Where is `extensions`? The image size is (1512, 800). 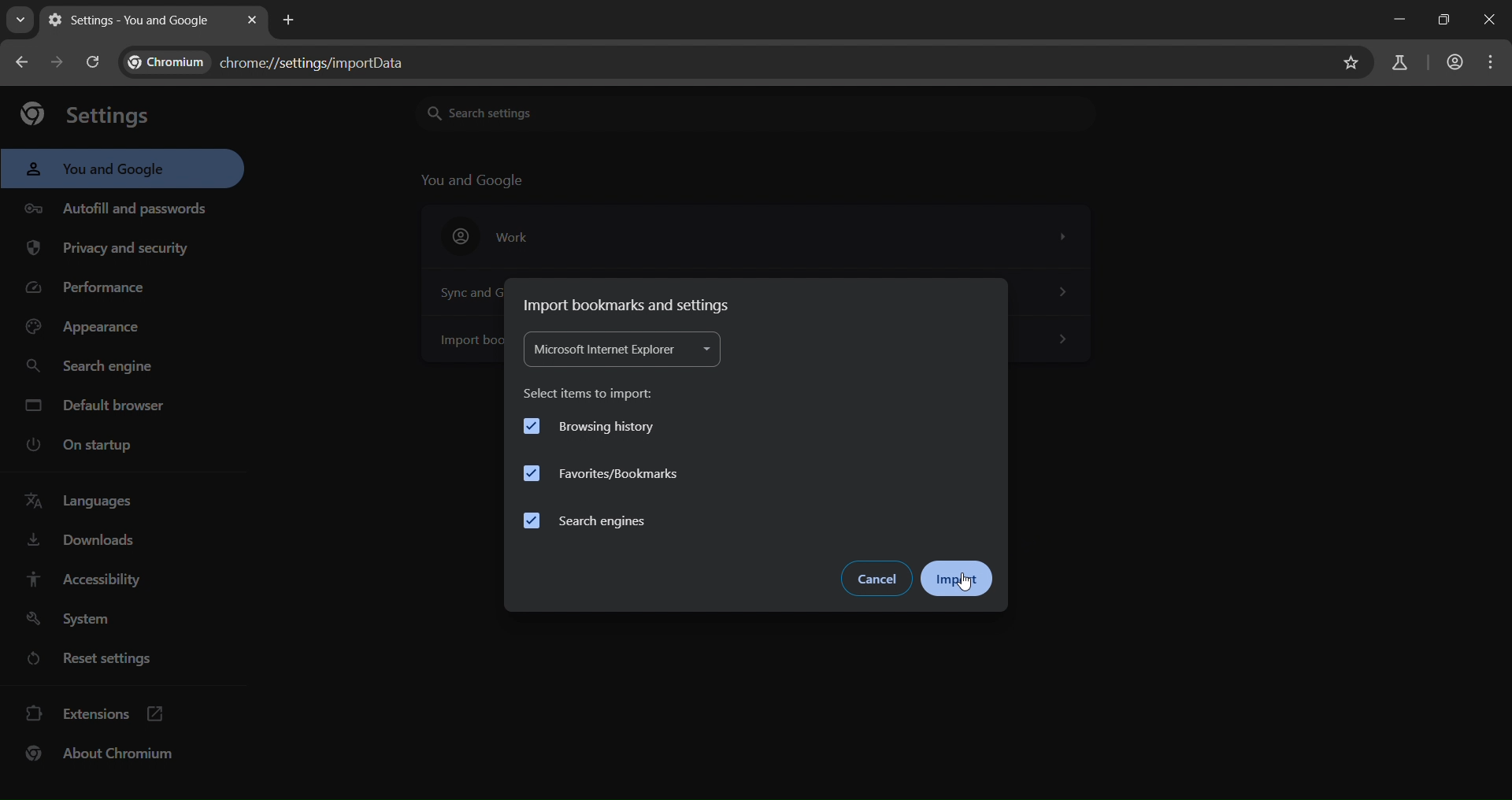 extensions is located at coordinates (100, 712).